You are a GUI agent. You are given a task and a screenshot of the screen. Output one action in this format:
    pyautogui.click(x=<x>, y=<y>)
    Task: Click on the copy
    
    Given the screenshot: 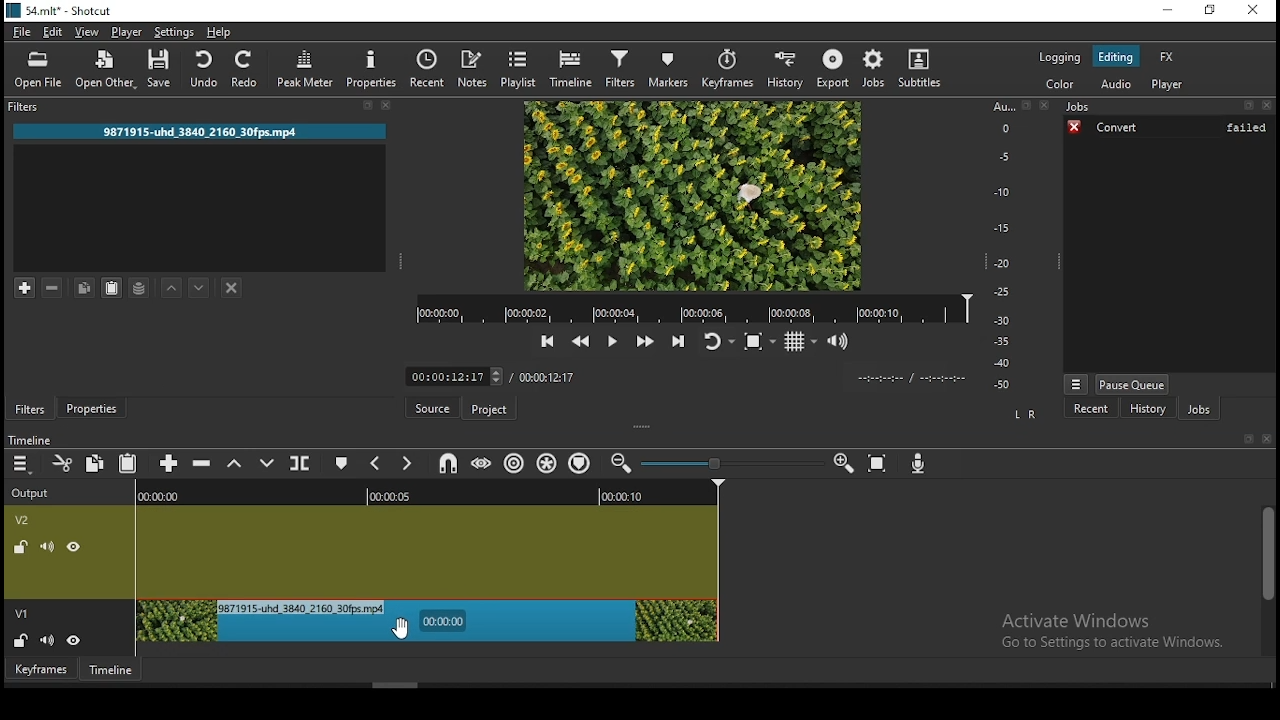 What is the action you would take?
    pyautogui.click(x=80, y=287)
    